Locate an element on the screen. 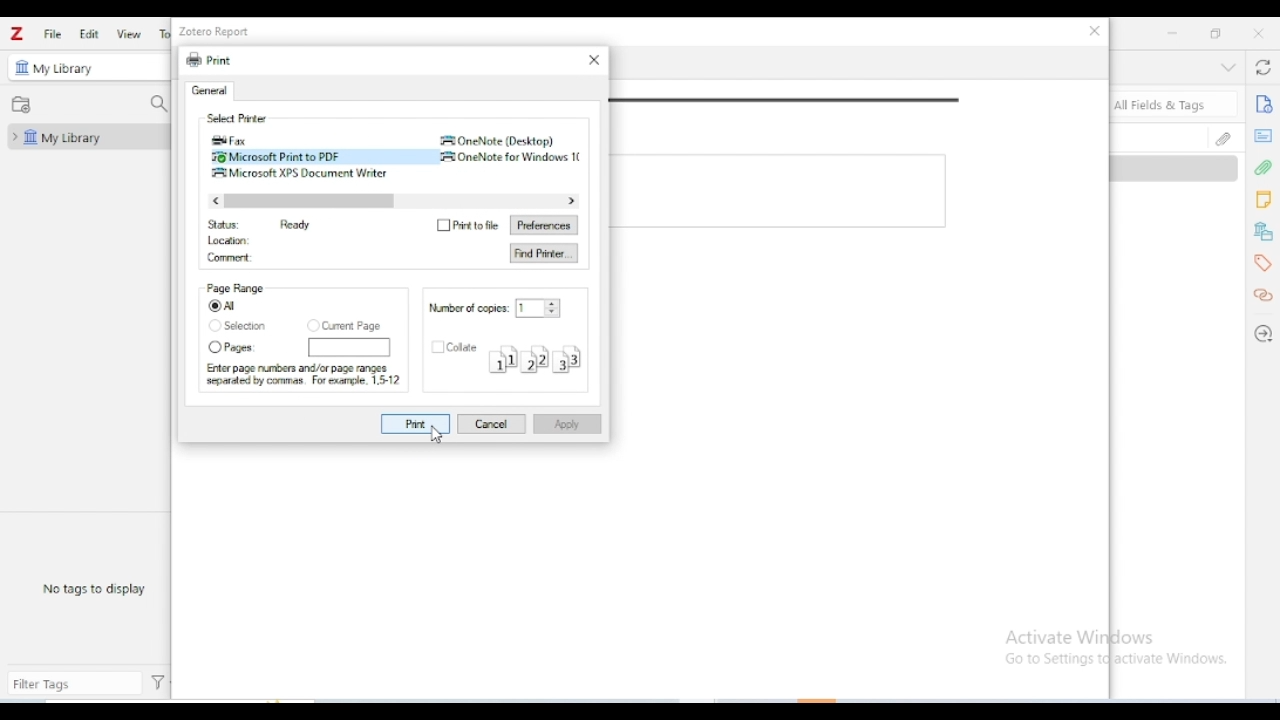  view is located at coordinates (128, 34).